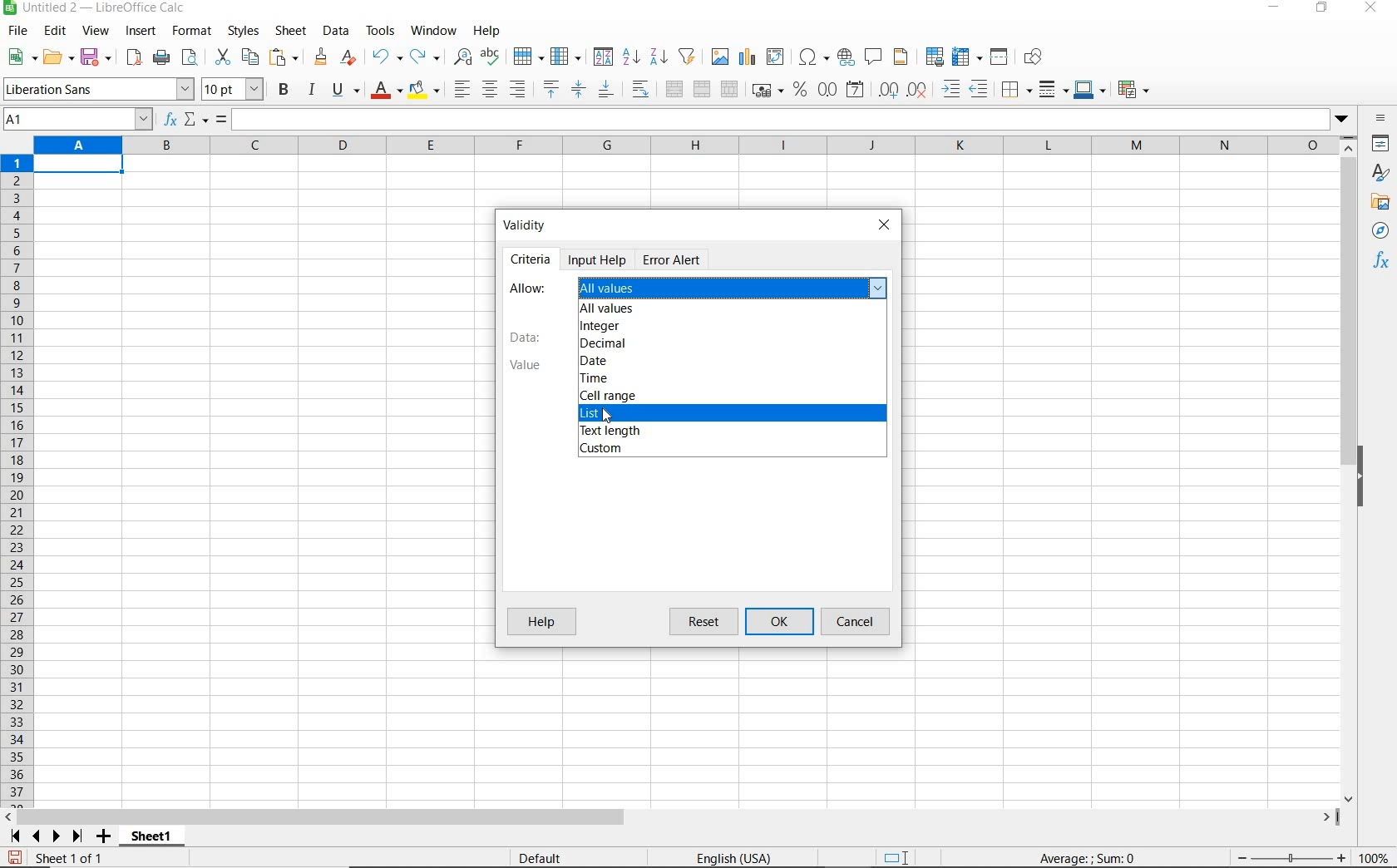 The height and width of the screenshot is (868, 1397). What do you see at coordinates (1383, 234) in the screenshot?
I see `navigator` at bounding box center [1383, 234].